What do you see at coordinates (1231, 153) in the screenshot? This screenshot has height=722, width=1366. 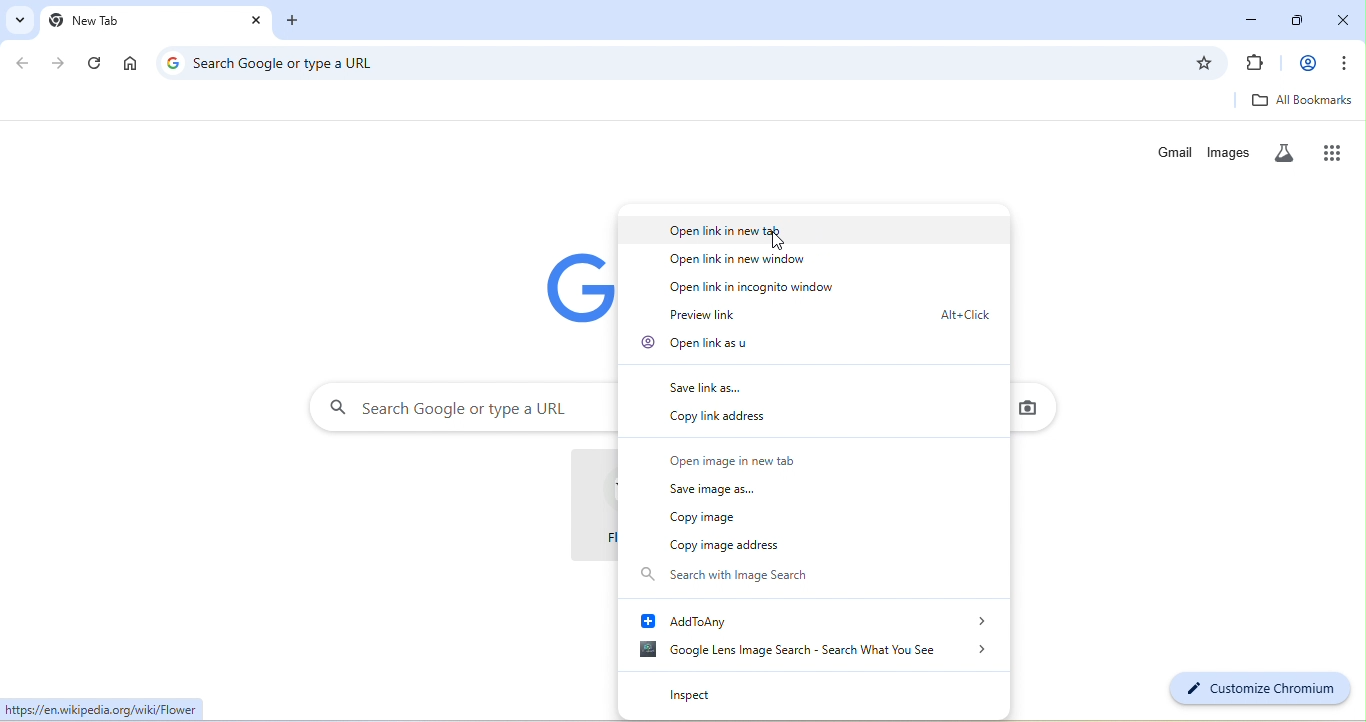 I see `images` at bounding box center [1231, 153].